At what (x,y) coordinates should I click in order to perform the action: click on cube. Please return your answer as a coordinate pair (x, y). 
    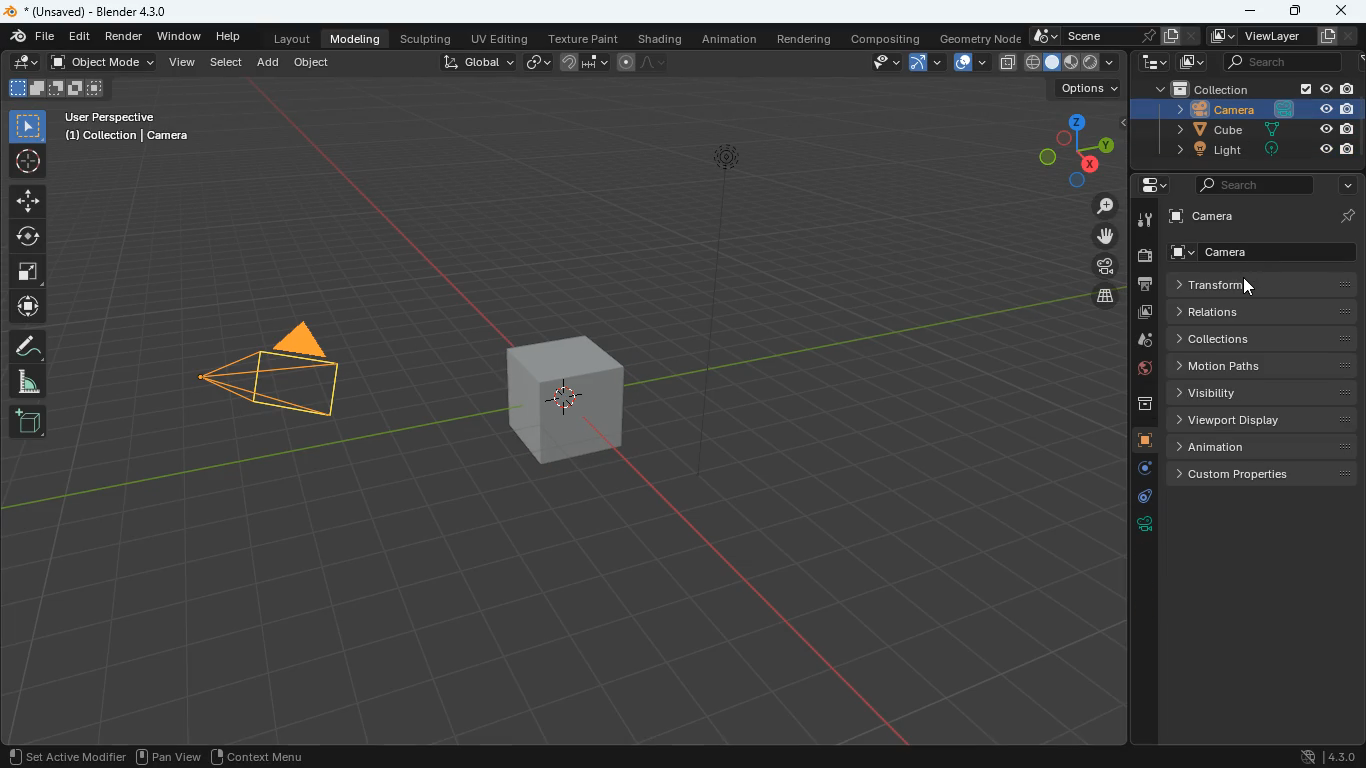
    Looking at the image, I should click on (57, 90).